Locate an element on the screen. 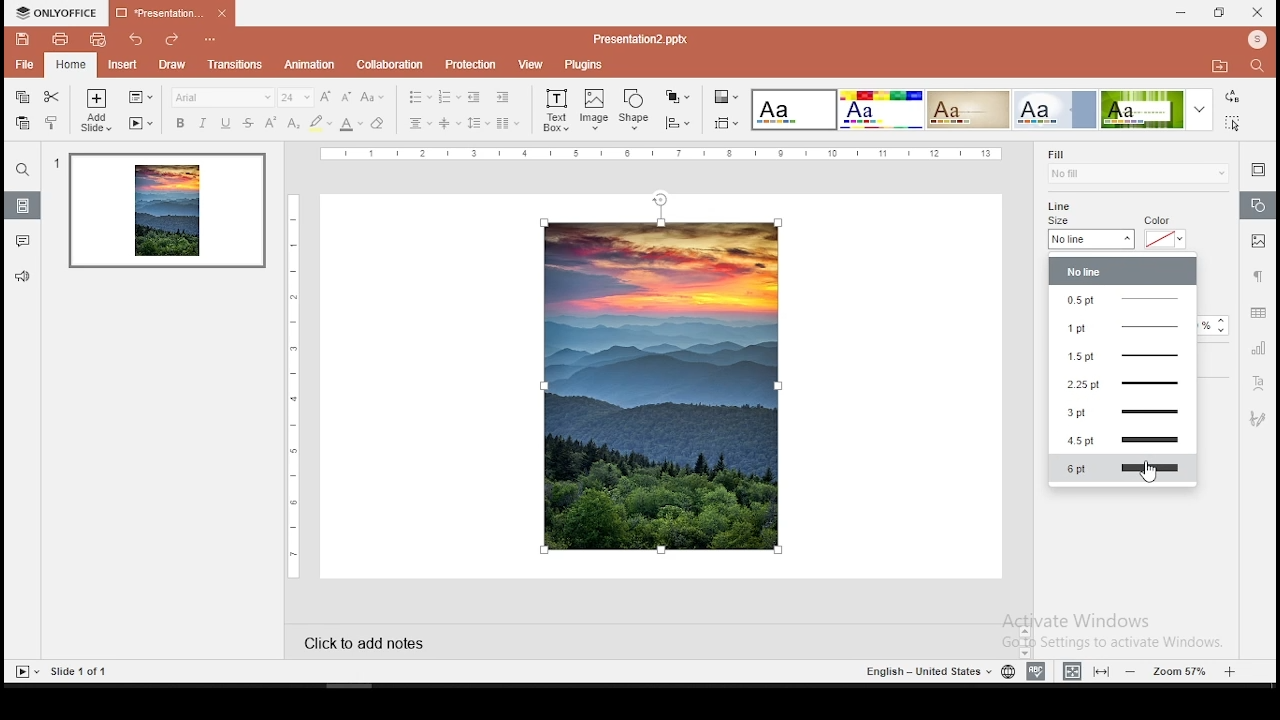  collaboration is located at coordinates (393, 65).